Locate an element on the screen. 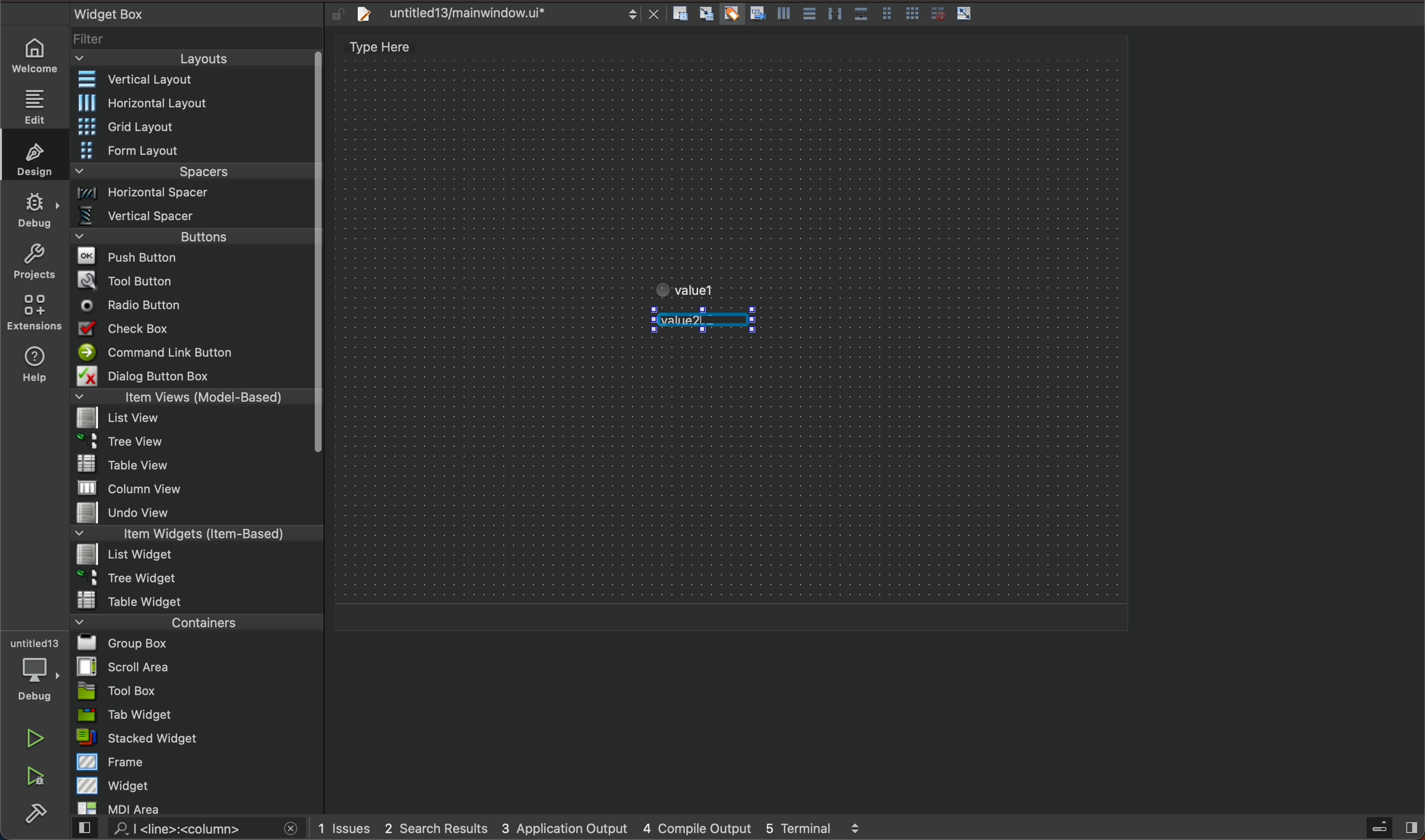 Image resolution: width=1425 pixels, height=840 pixels. stacked widget is located at coordinates (198, 738).